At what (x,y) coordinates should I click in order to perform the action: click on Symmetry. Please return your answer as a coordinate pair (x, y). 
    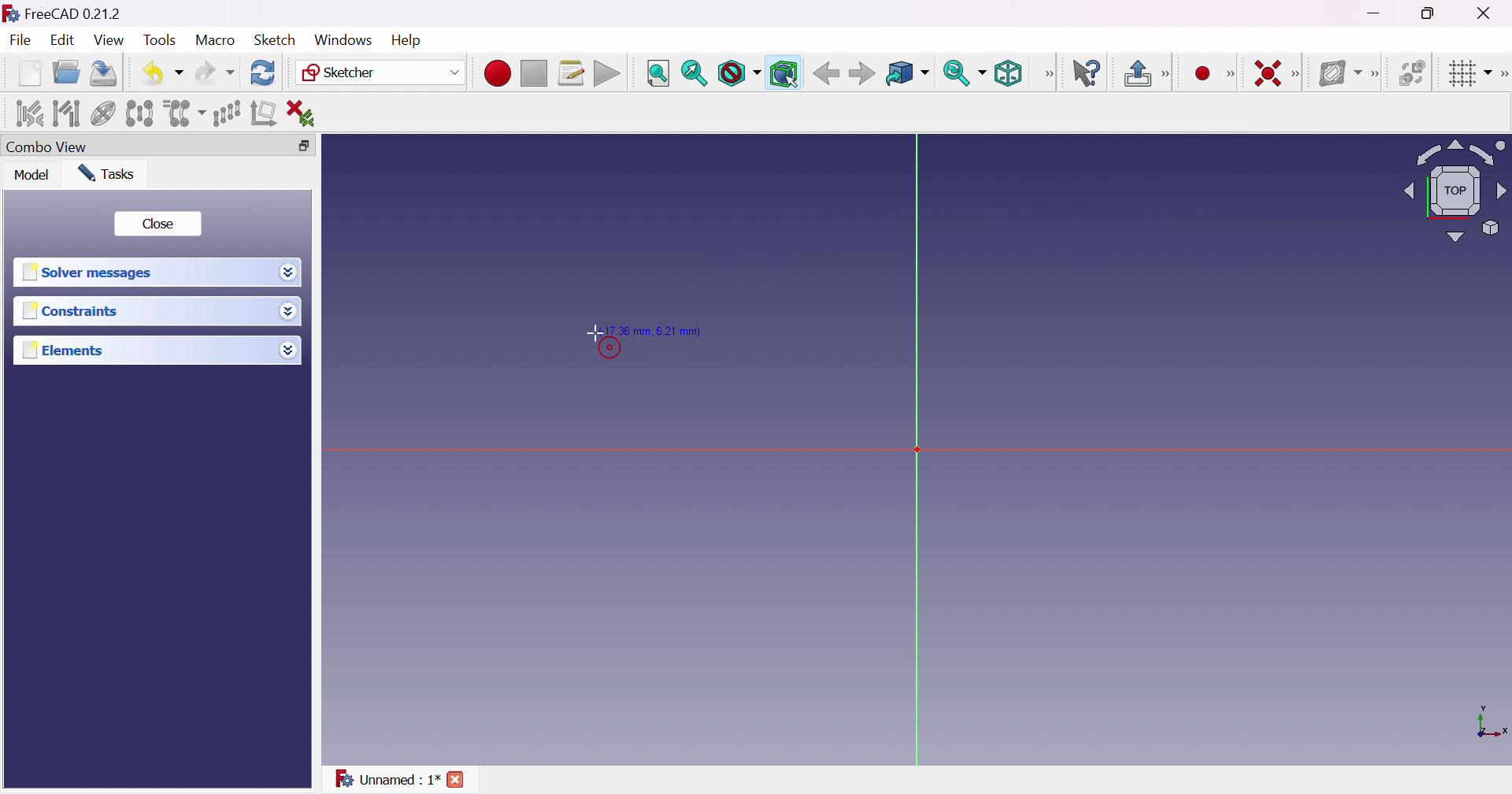
    Looking at the image, I should click on (139, 114).